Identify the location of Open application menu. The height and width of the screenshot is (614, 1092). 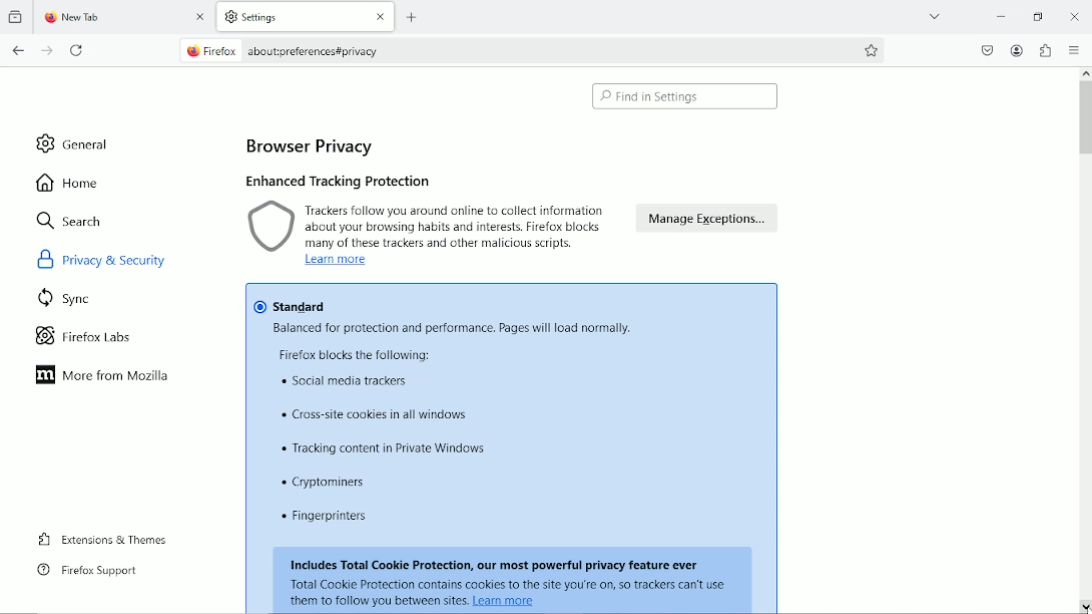
(1075, 51).